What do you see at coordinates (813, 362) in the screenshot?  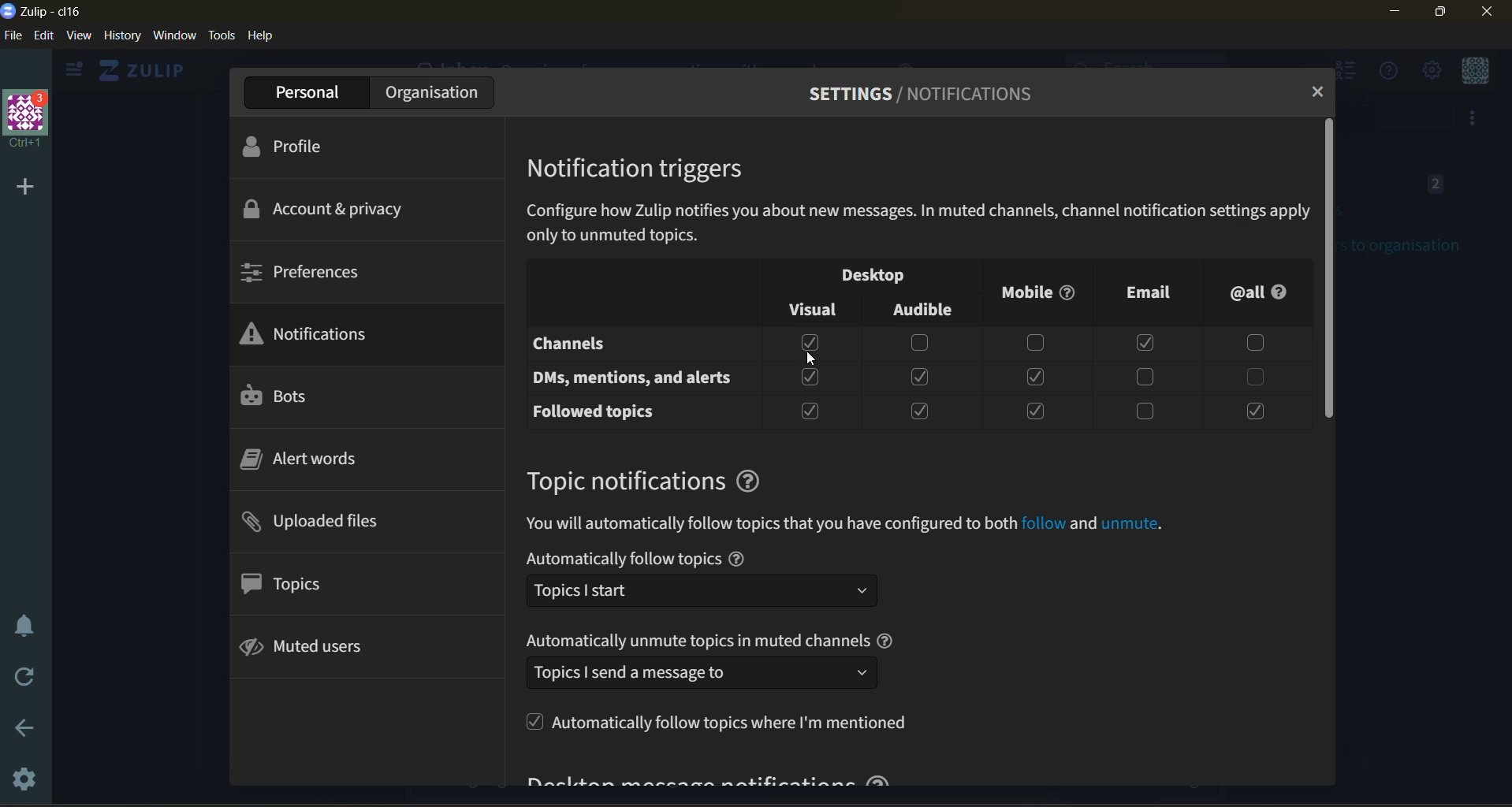 I see `cursor` at bounding box center [813, 362].